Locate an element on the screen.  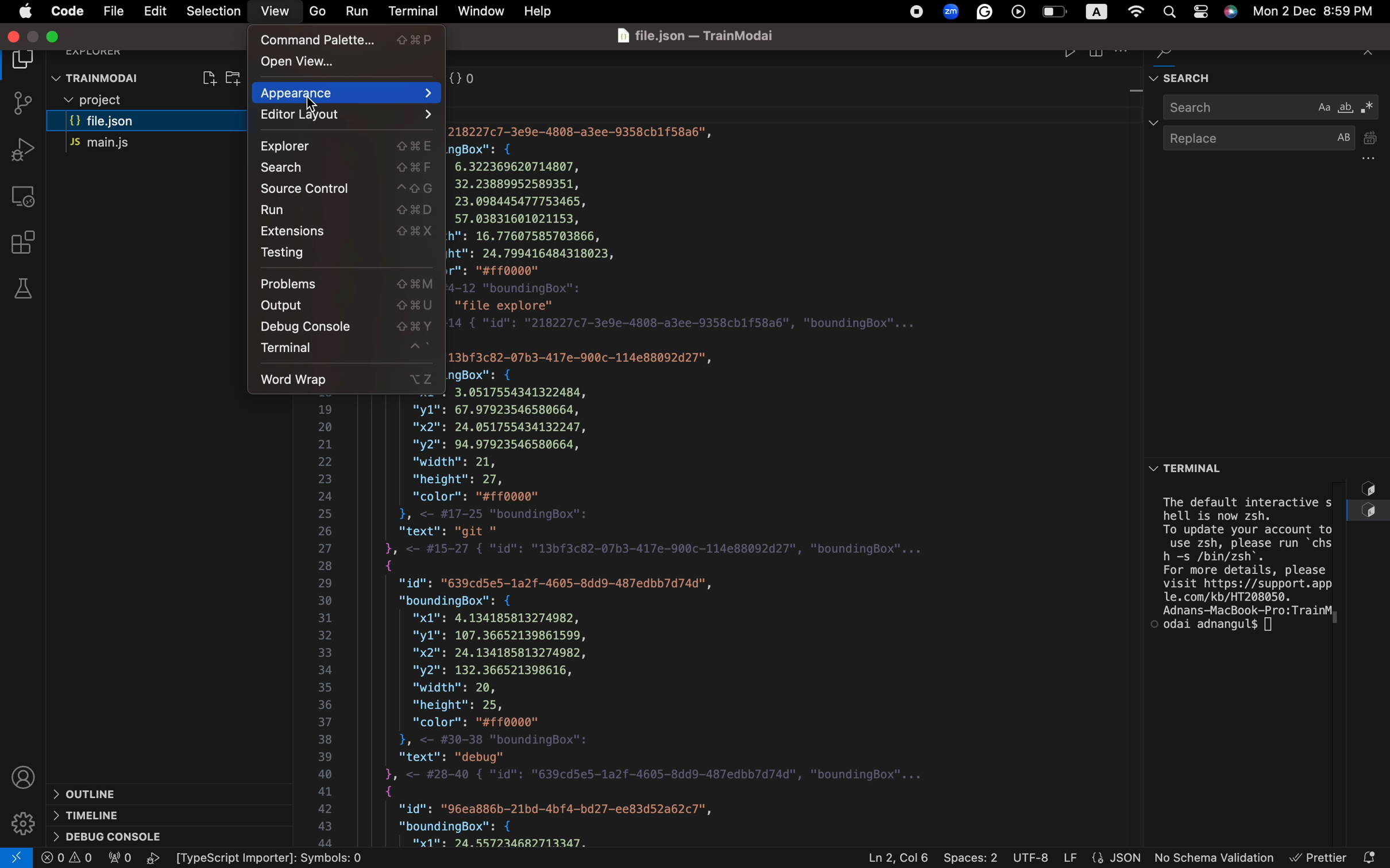
terminal is located at coordinates (409, 9).